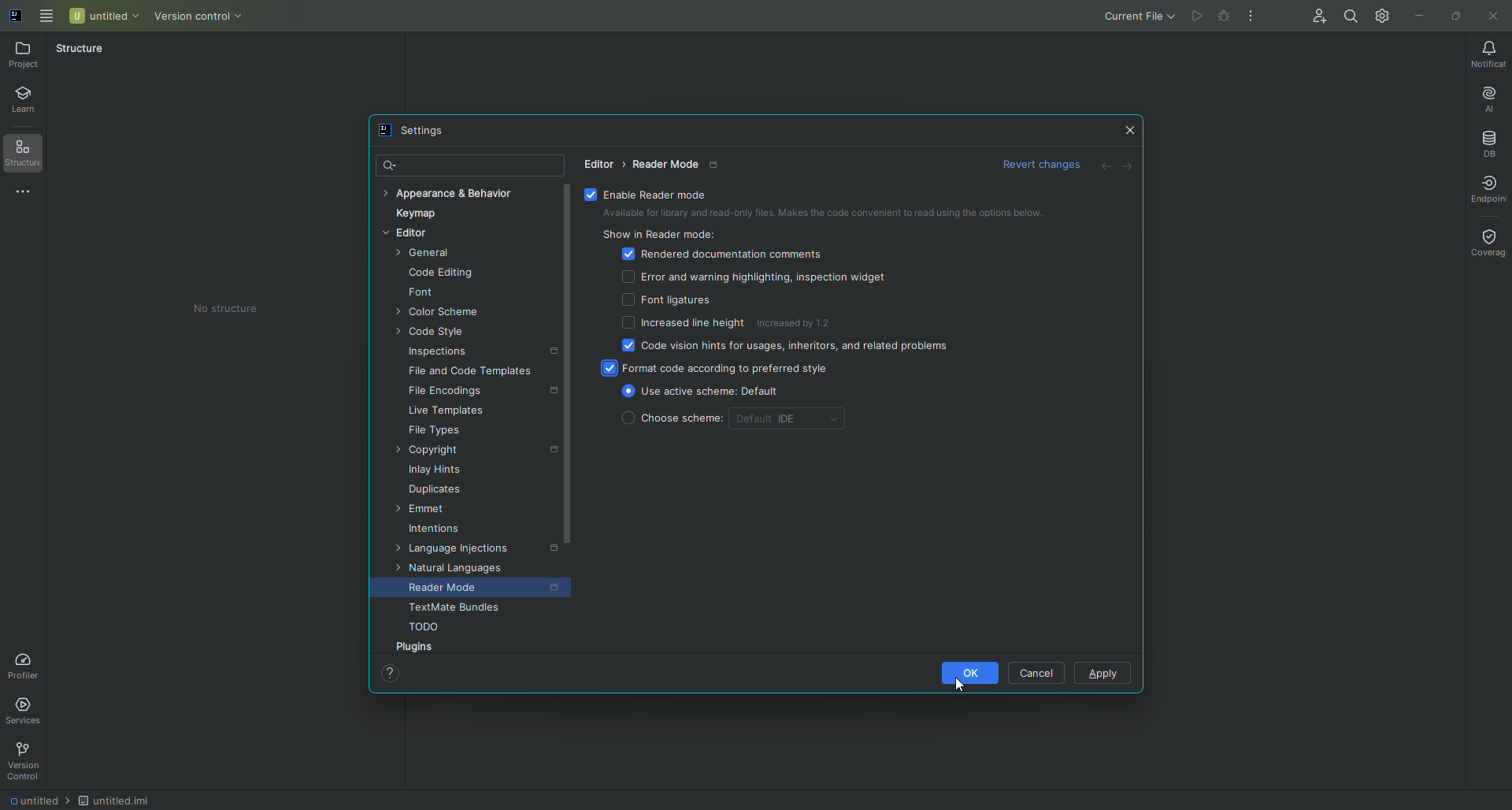 The image size is (1512, 810). Describe the element at coordinates (428, 472) in the screenshot. I see `Inlay Hints` at that location.